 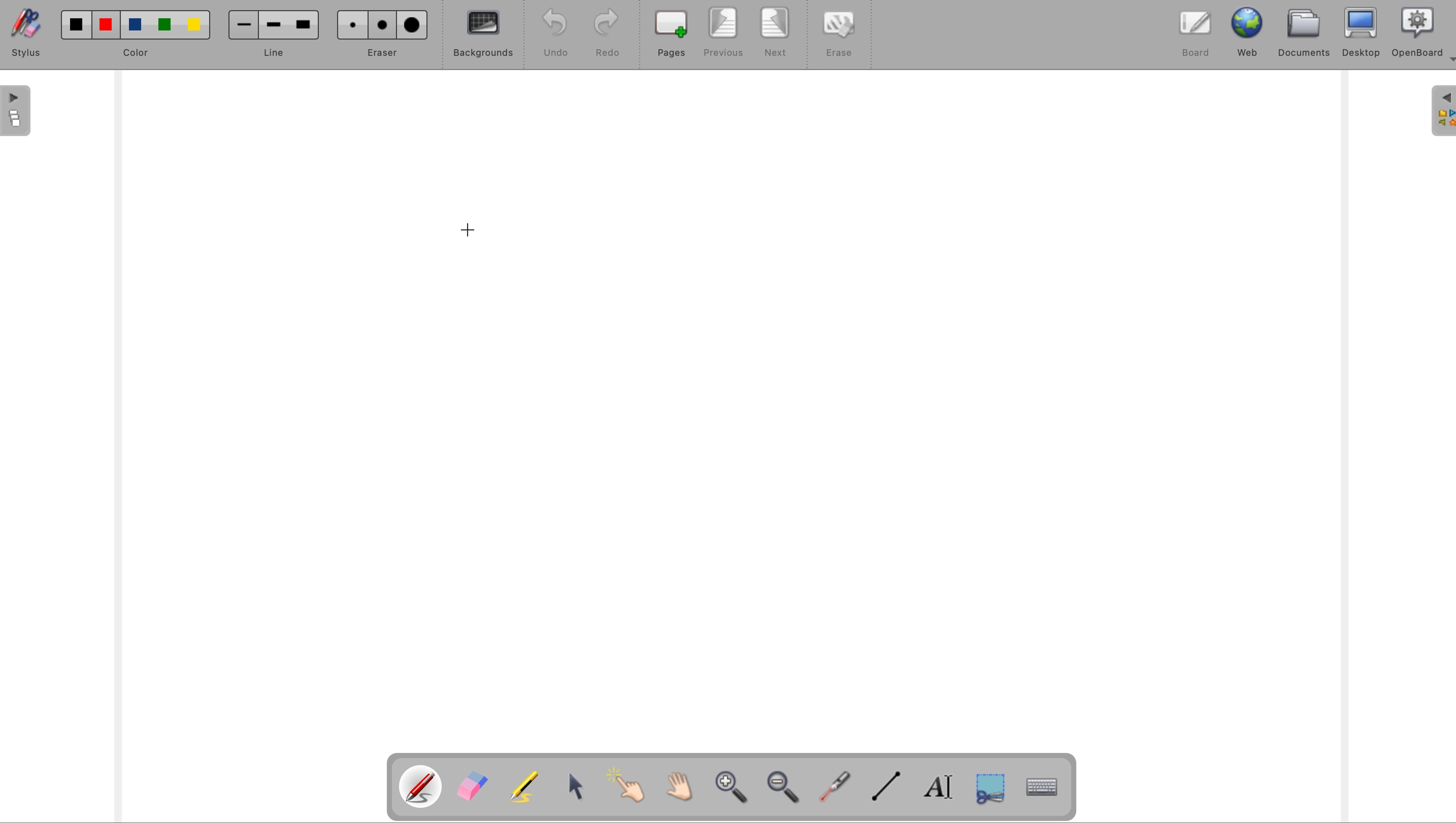 What do you see at coordinates (998, 792) in the screenshot?
I see `capture part of screen` at bounding box center [998, 792].